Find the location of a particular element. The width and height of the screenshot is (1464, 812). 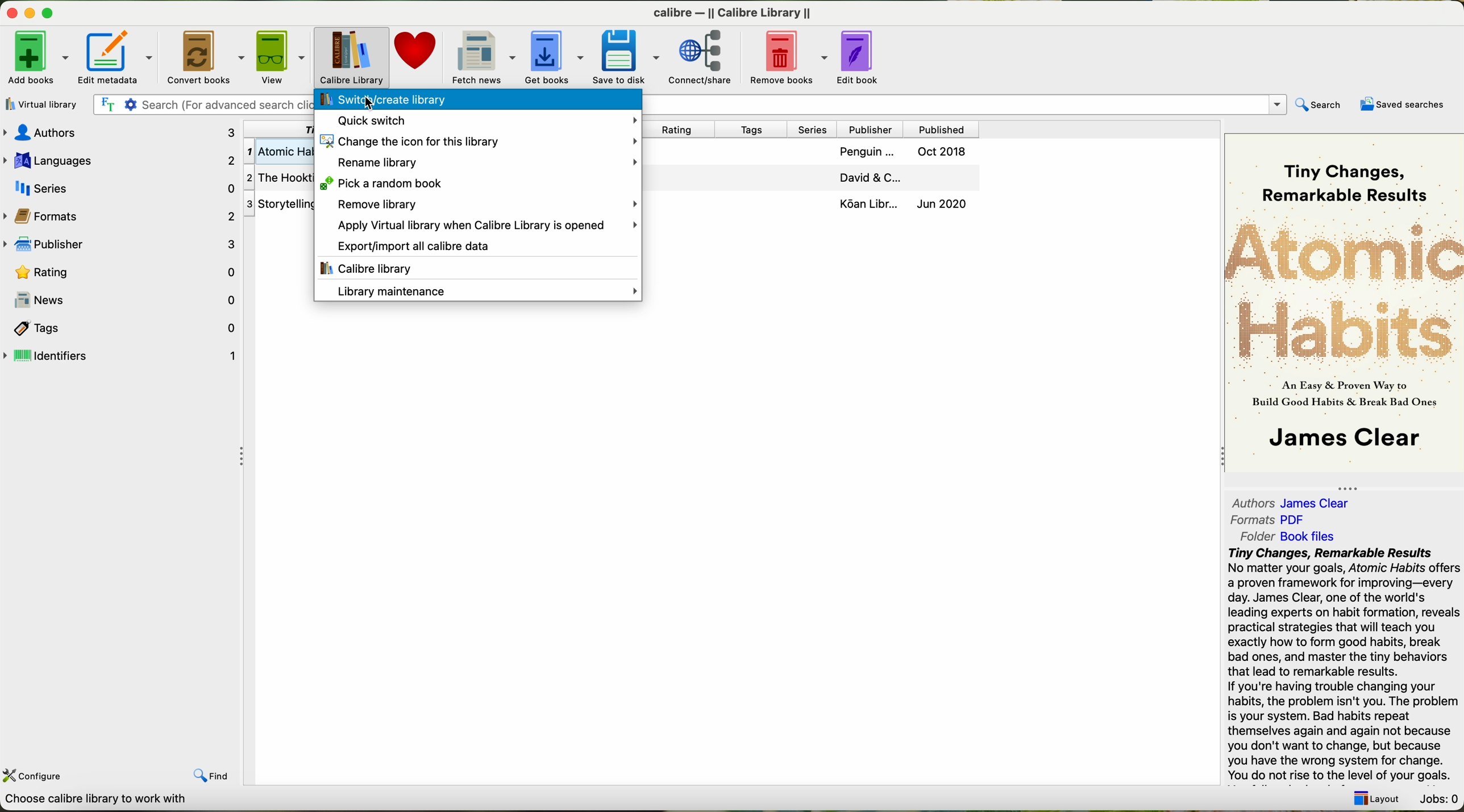

convert books is located at coordinates (207, 56).